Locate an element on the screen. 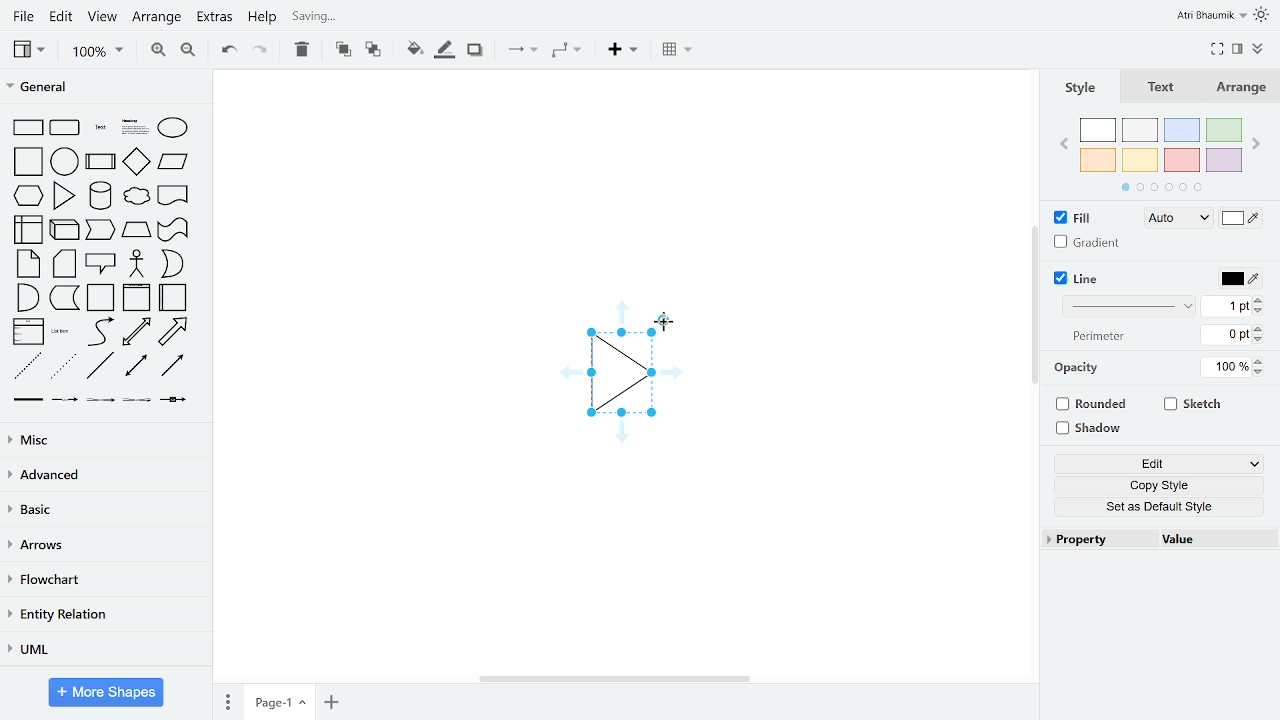 This screenshot has width=1280, height=720. actor is located at coordinates (137, 264).